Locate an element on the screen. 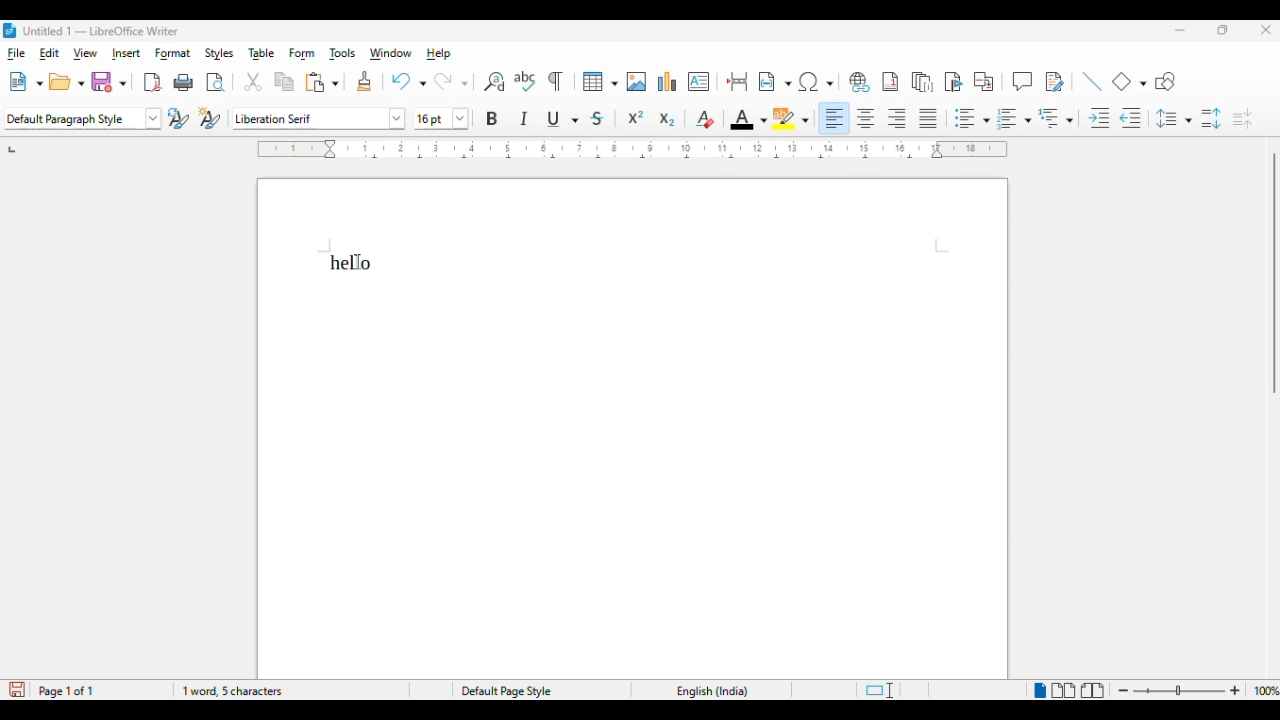 This screenshot has height=720, width=1280. insert field is located at coordinates (775, 82).